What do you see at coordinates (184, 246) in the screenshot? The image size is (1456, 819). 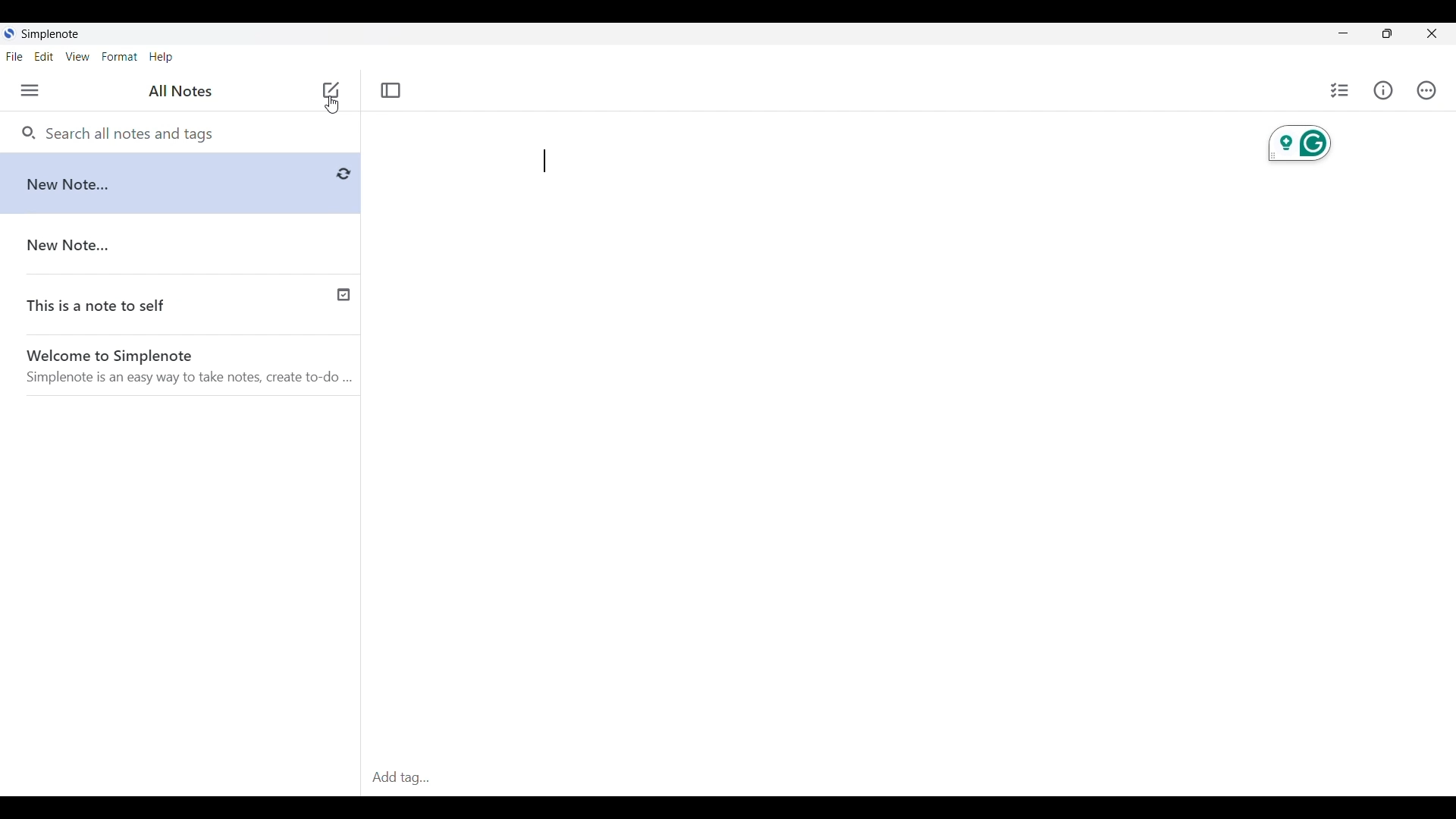 I see `New Note(Older note)` at bounding box center [184, 246].